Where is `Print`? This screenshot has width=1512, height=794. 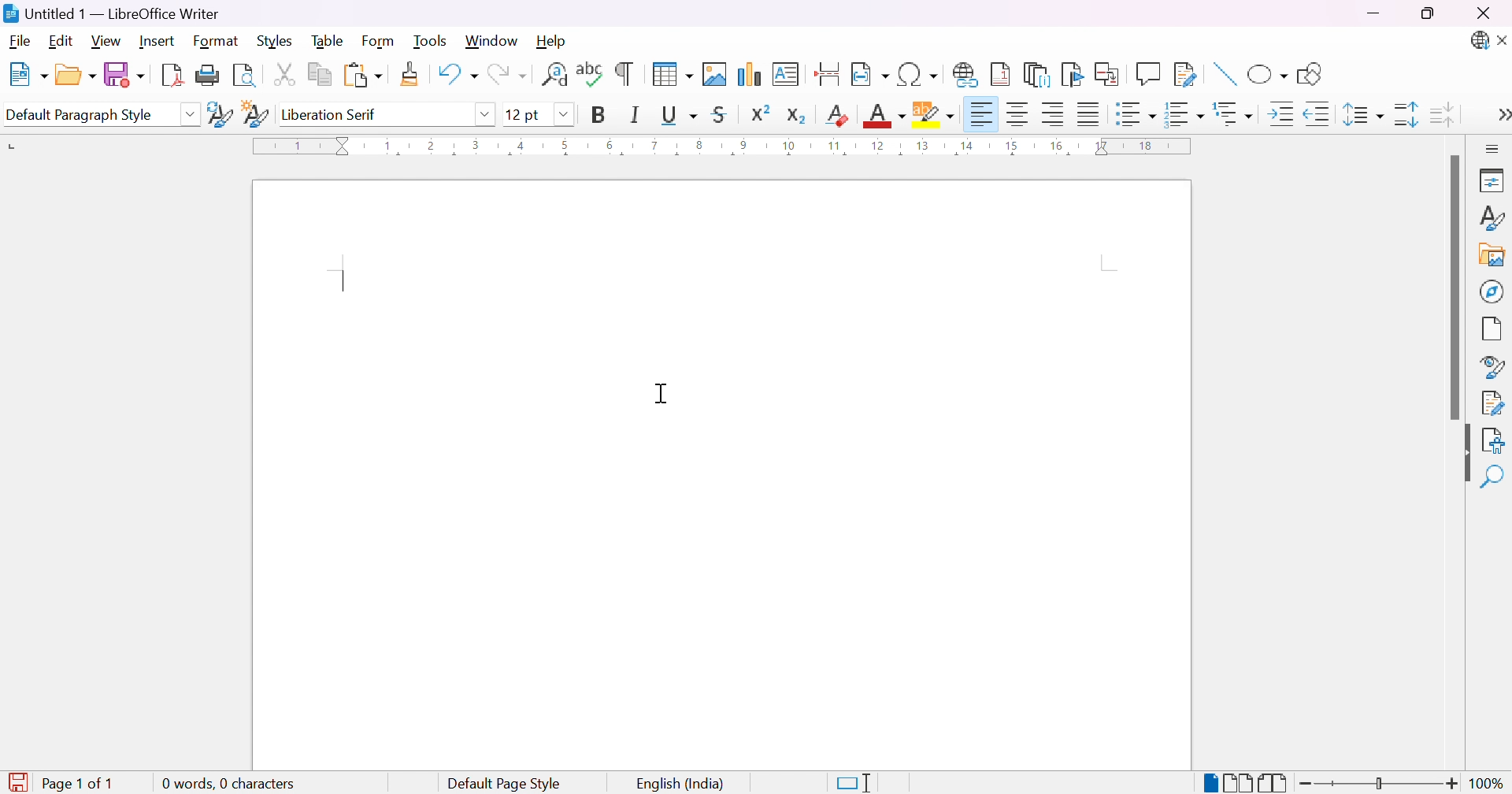
Print is located at coordinates (208, 76).